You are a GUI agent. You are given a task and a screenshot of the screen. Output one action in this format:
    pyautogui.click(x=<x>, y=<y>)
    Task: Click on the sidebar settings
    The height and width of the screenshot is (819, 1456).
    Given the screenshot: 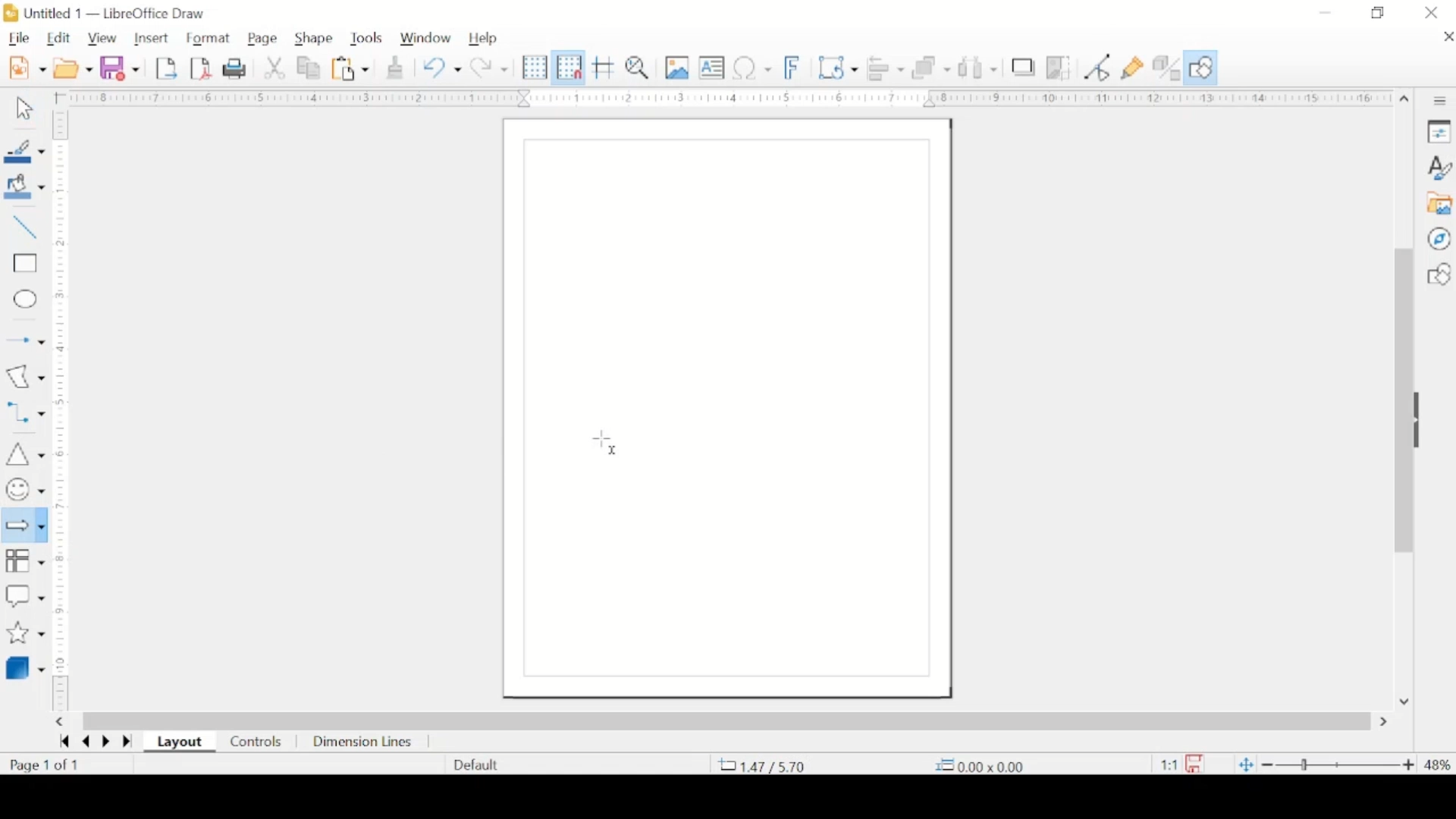 What is the action you would take?
    pyautogui.click(x=1442, y=102)
    